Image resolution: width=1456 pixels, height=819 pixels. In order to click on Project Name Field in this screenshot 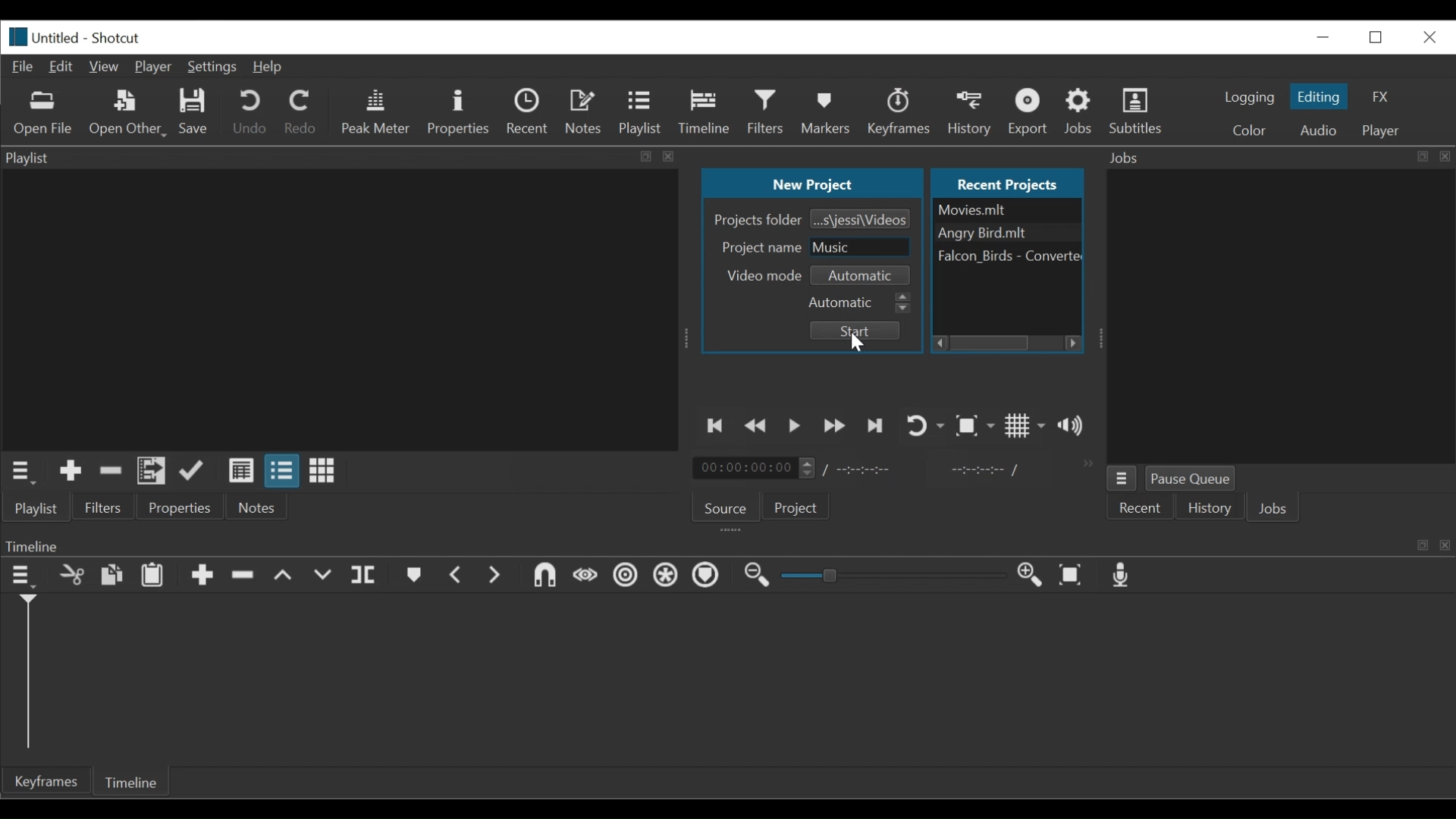, I will do `click(862, 248)`.